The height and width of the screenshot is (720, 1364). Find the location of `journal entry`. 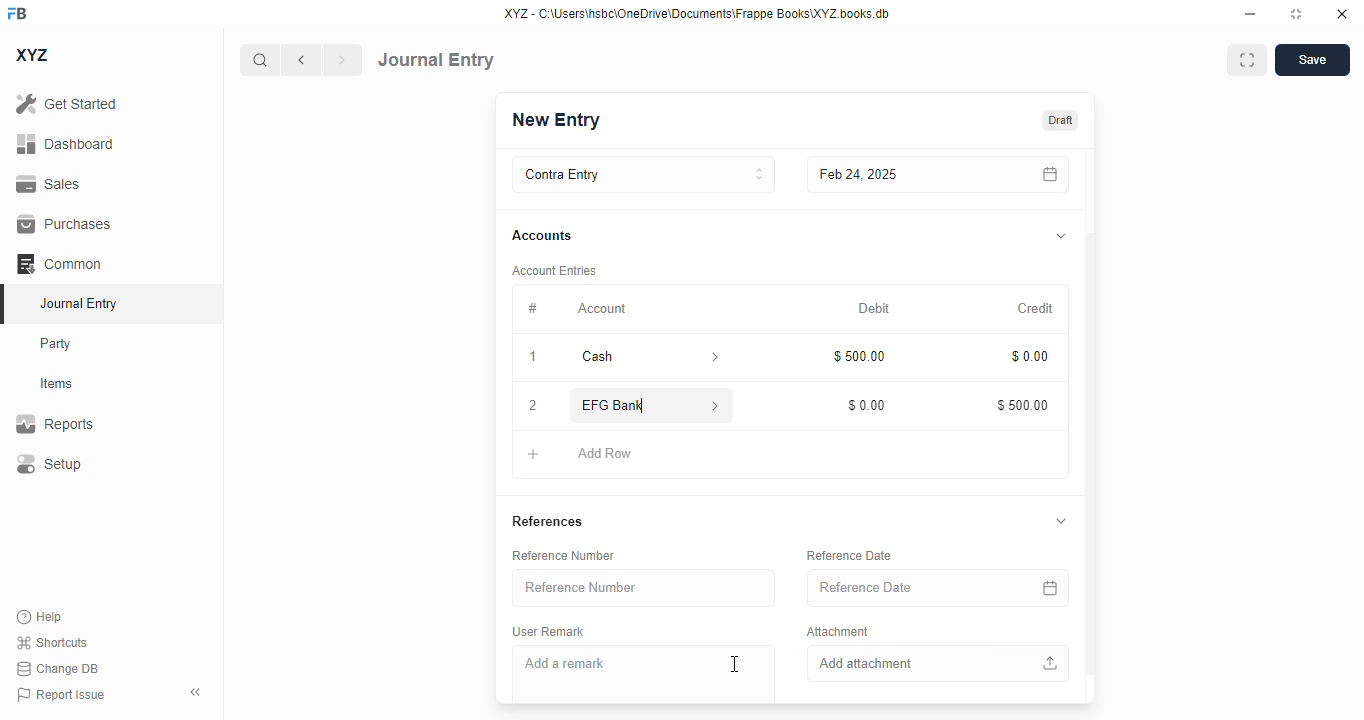

journal entry is located at coordinates (80, 303).